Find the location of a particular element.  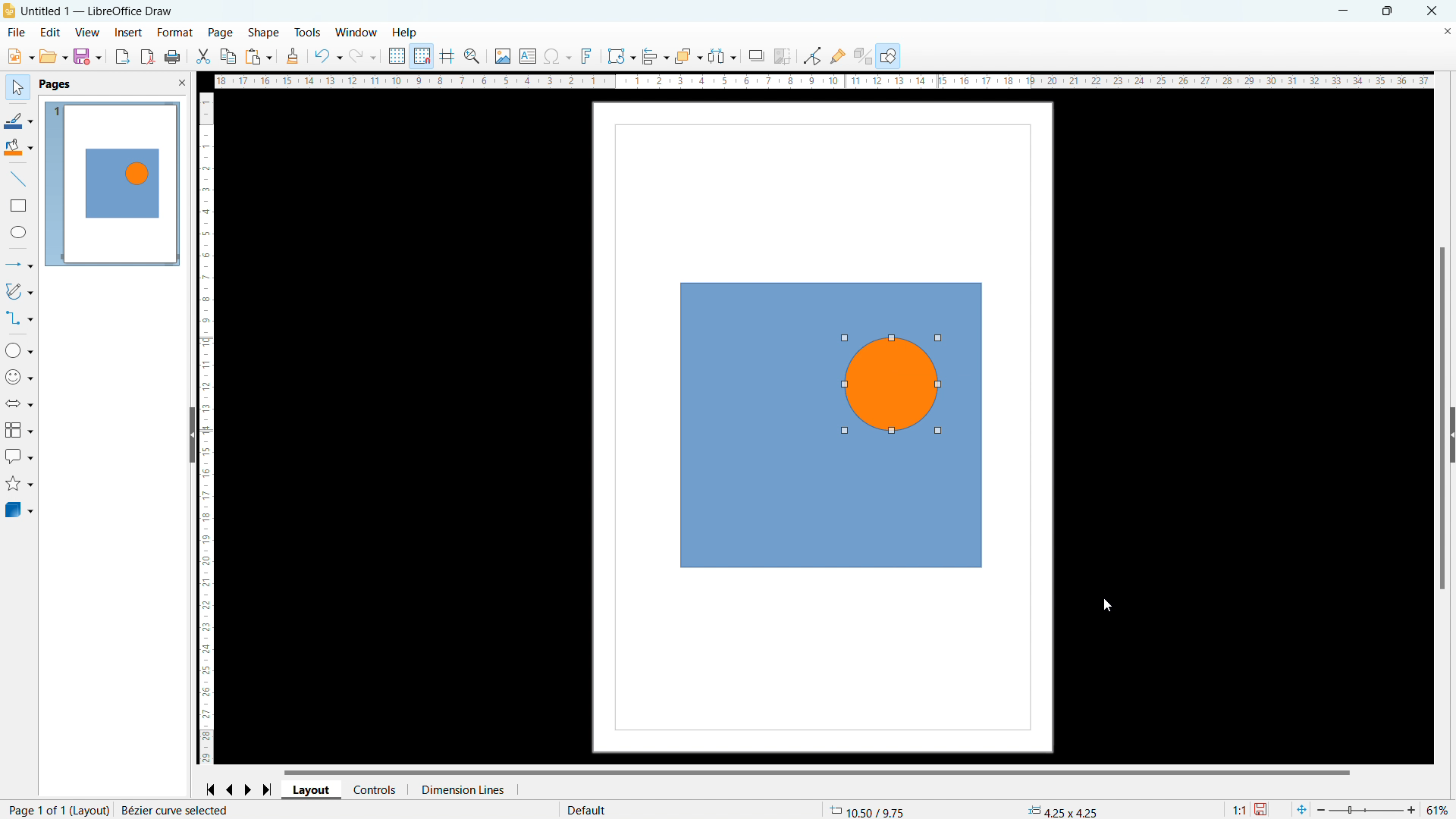

open is located at coordinates (54, 55).